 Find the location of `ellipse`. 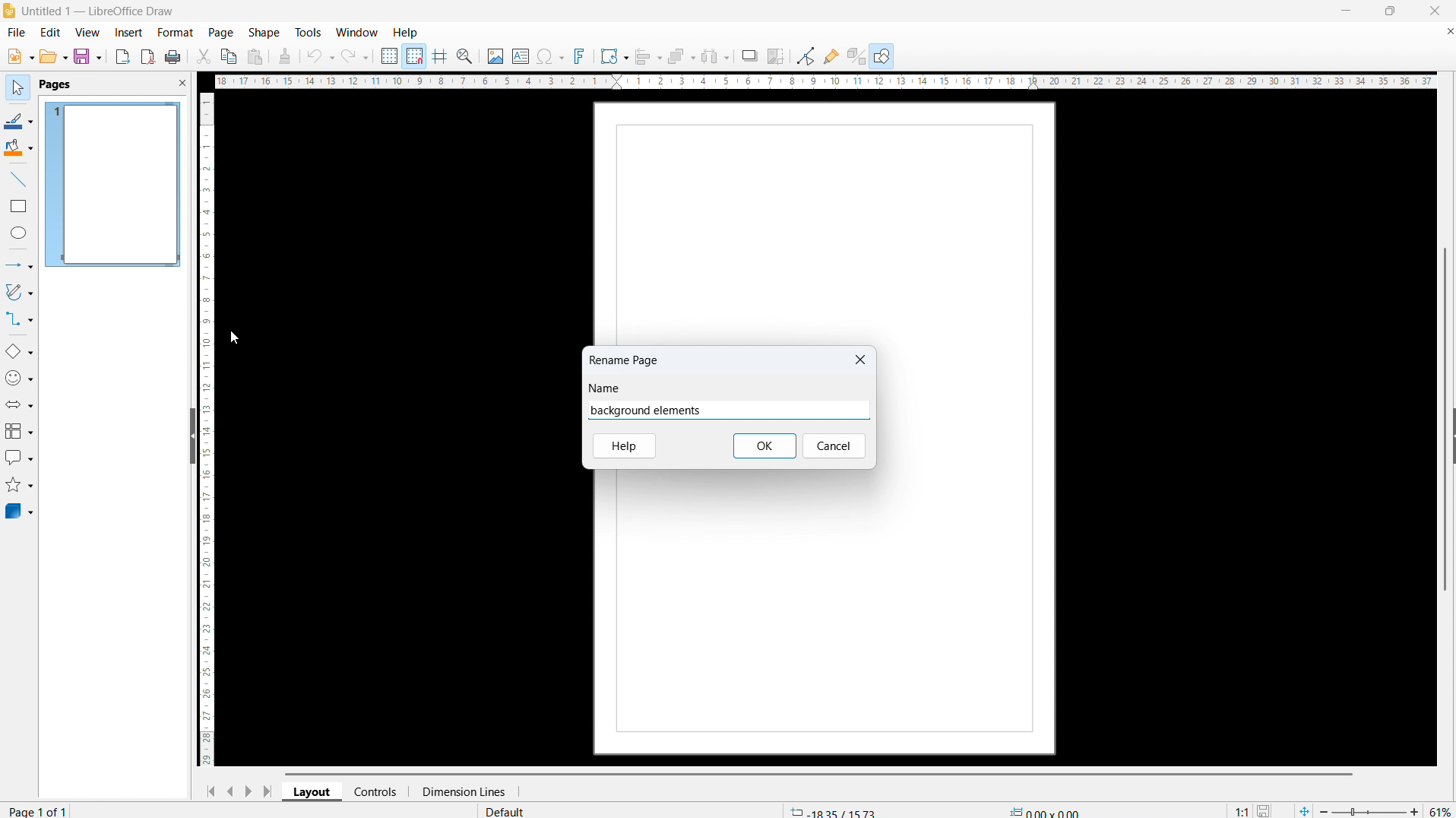

ellipse is located at coordinates (20, 233).